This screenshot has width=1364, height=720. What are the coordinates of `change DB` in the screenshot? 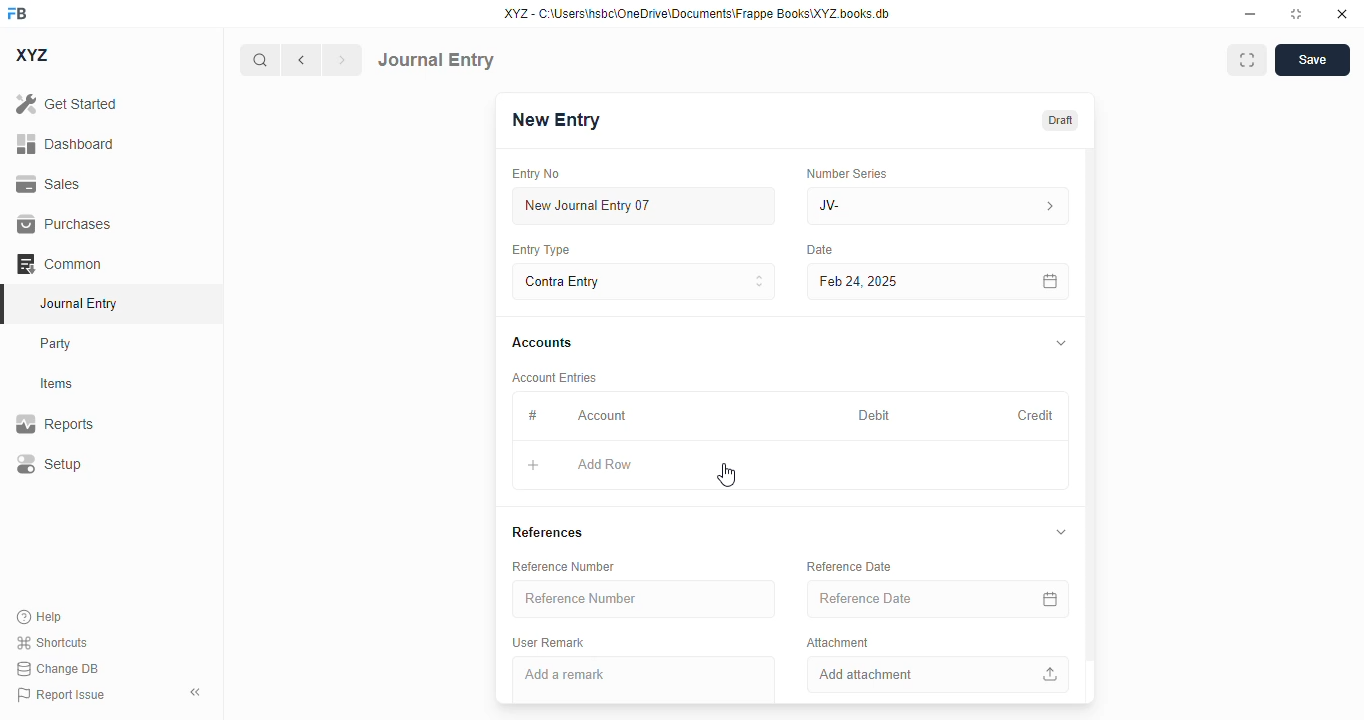 It's located at (57, 668).